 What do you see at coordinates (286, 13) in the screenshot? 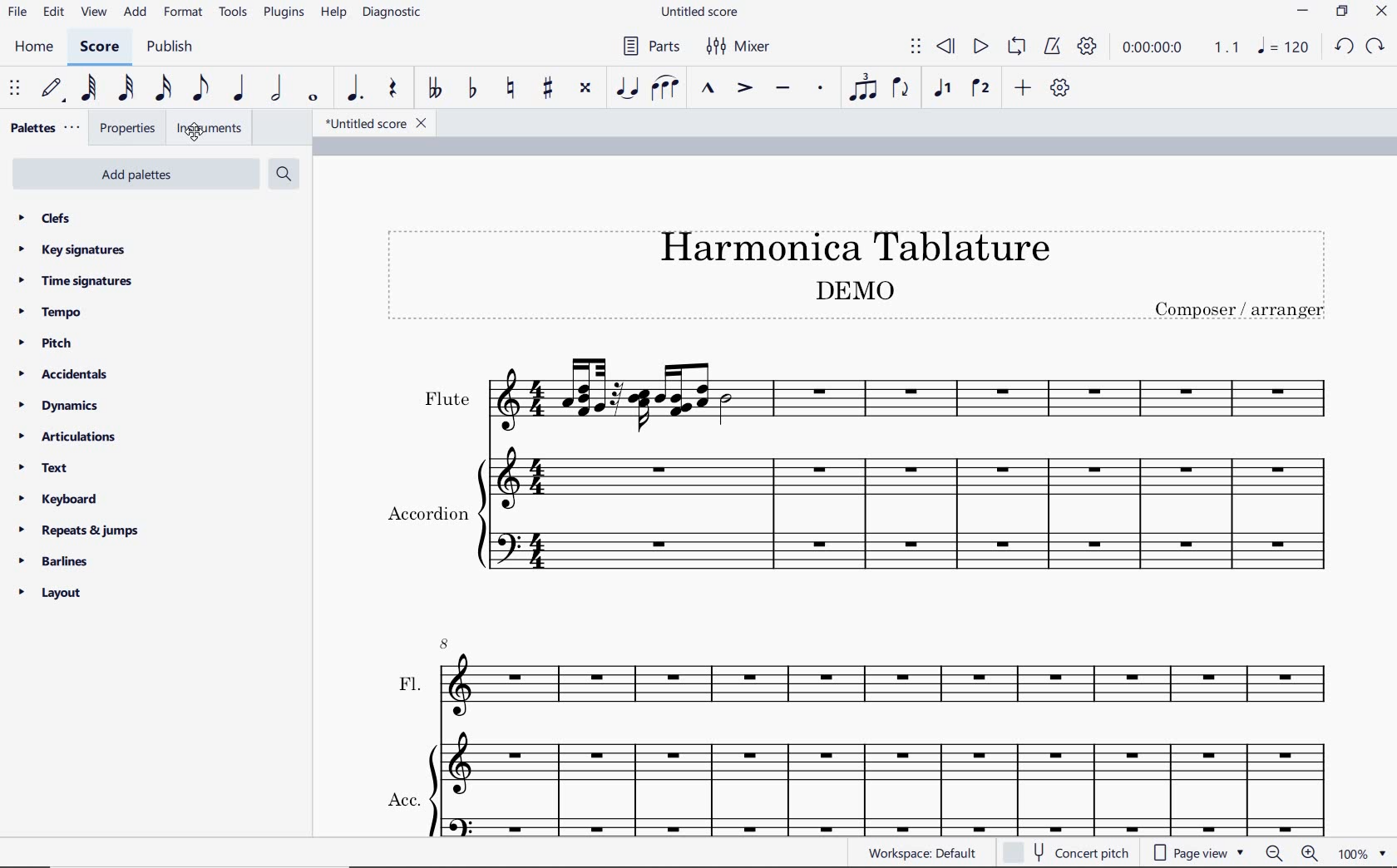
I see `PLUGINS` at bounding box center [286, 13].